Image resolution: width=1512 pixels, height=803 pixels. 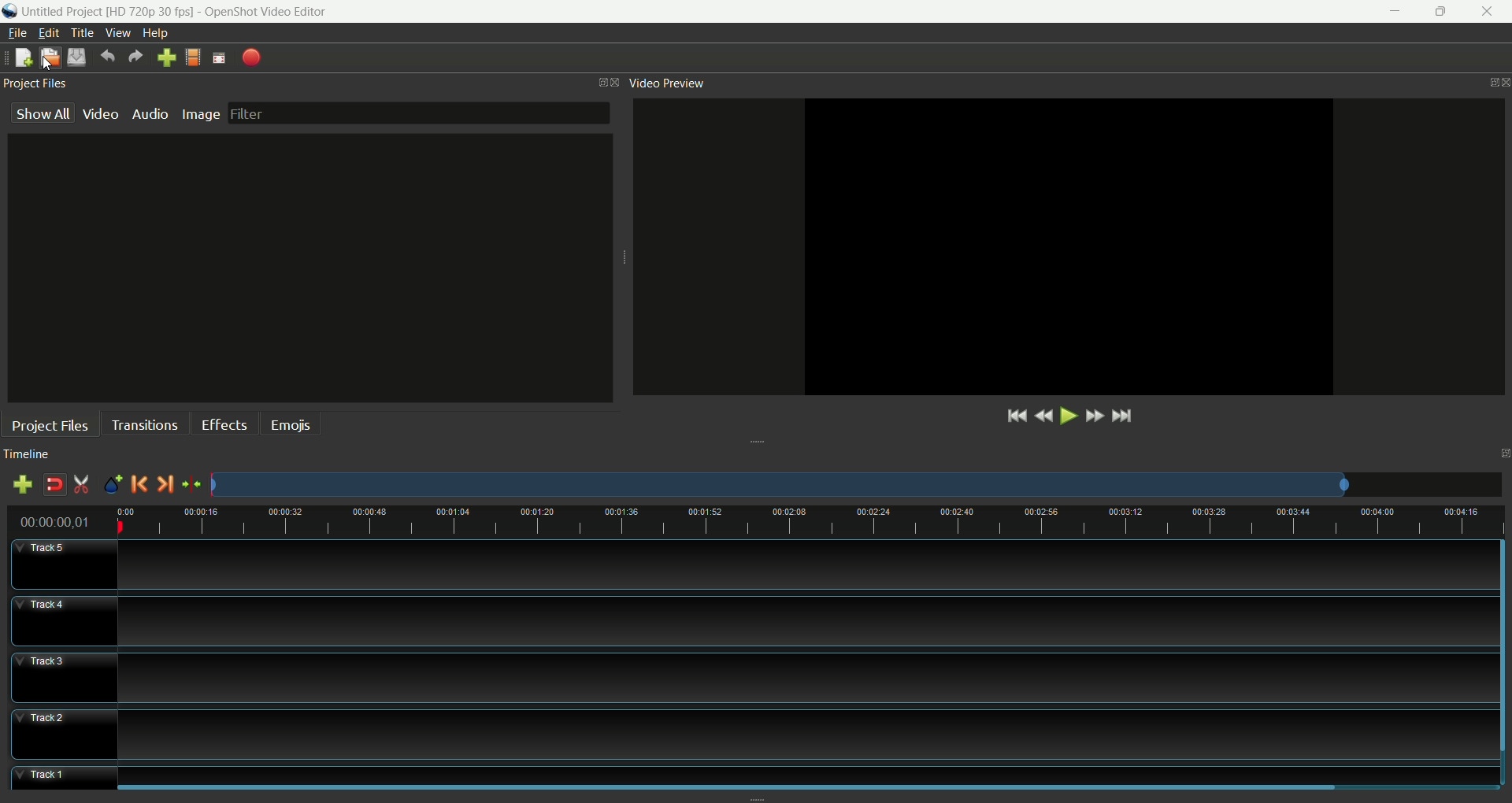 What do you see at coordinates (107, 57) in the screenshot?
I see `undo` at bounding box center [107, 57].